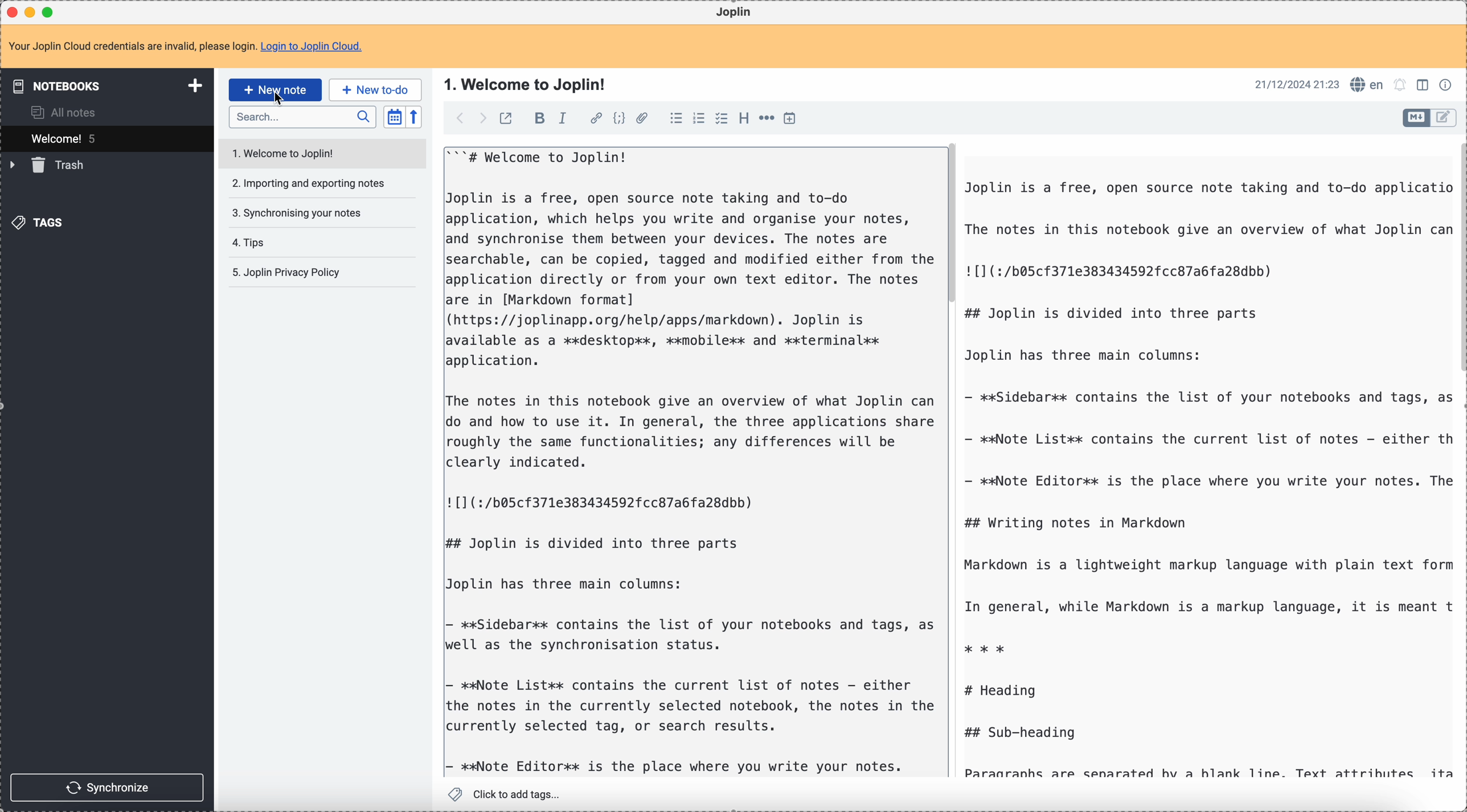 This screenshot has height=812, width=1467. Describe the element at coordinates (505, 794) in the screenshot. I see `click to add tags` at that location.